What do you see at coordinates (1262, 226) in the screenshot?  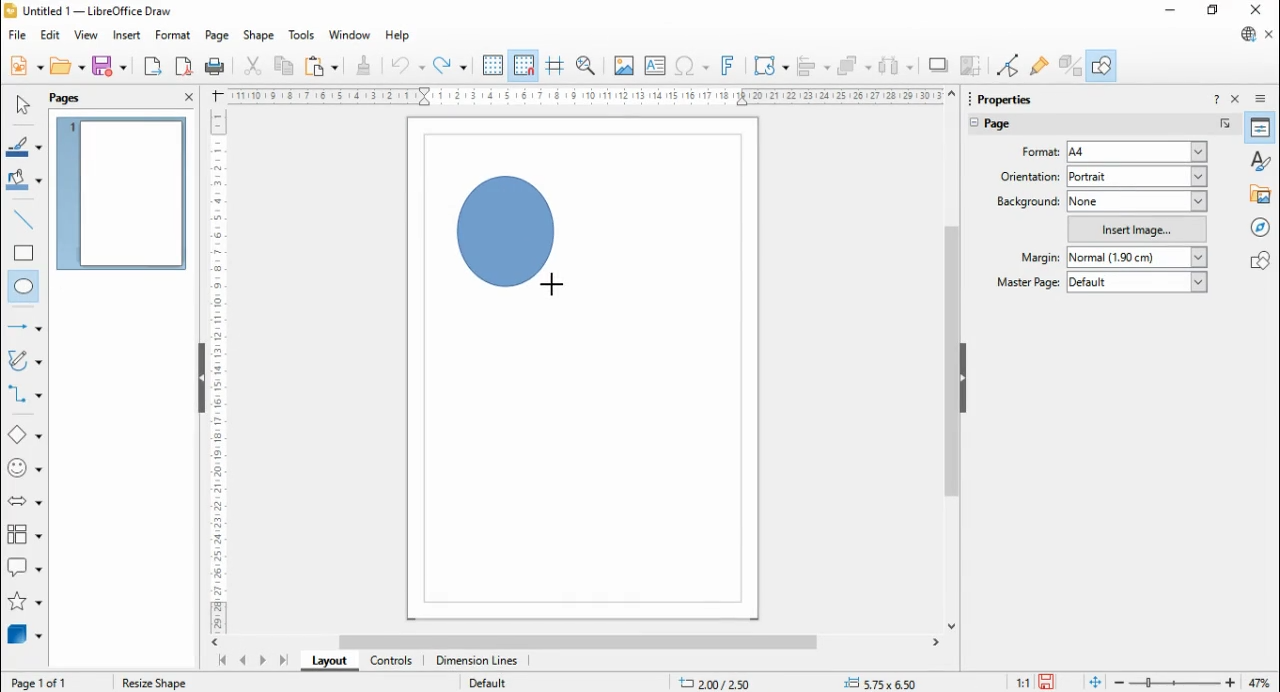 I see `navigator` at bounding box center [1262, 226].